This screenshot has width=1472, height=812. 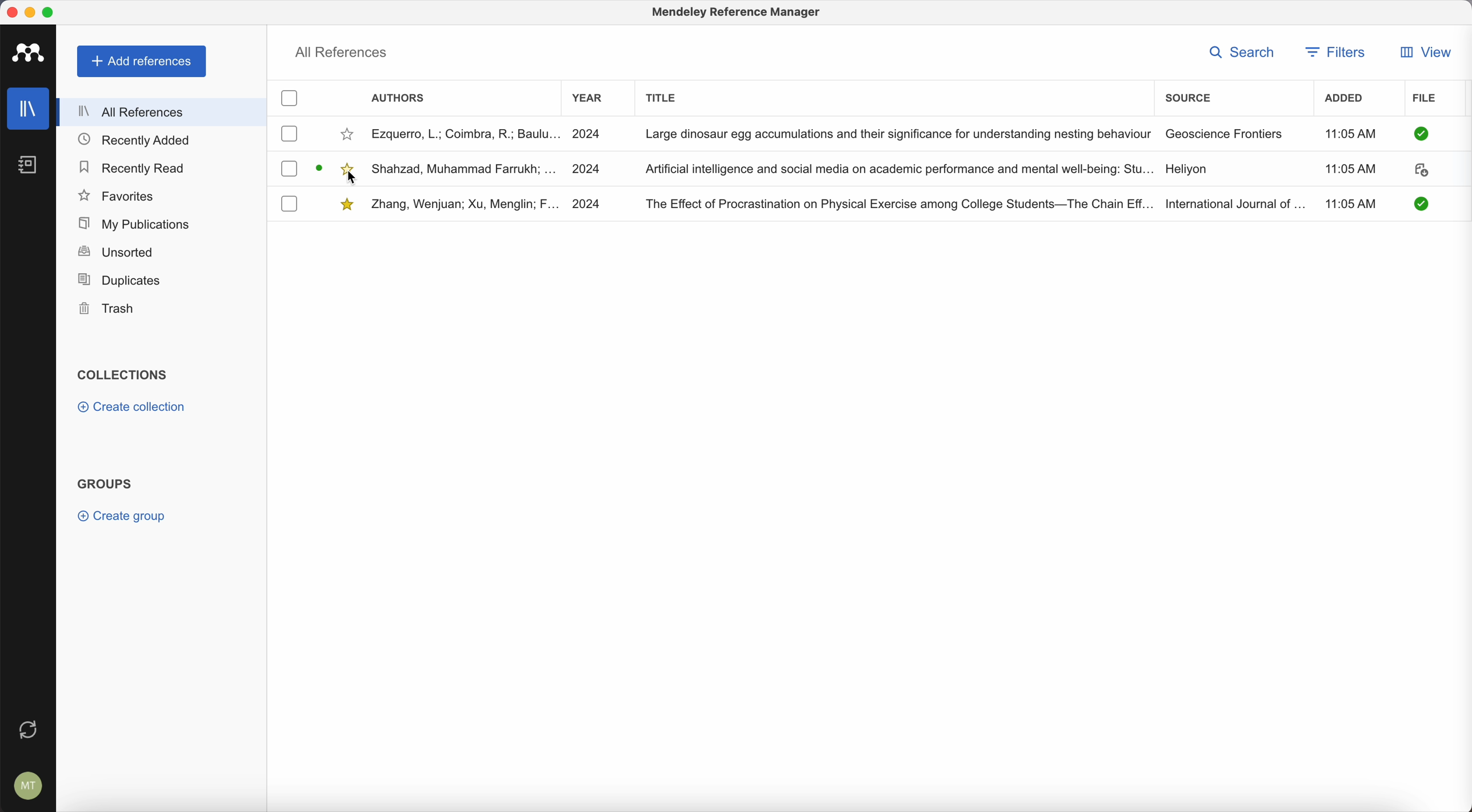 I want to click on Geoscience Frontiers, so click(x=1225, y=133).